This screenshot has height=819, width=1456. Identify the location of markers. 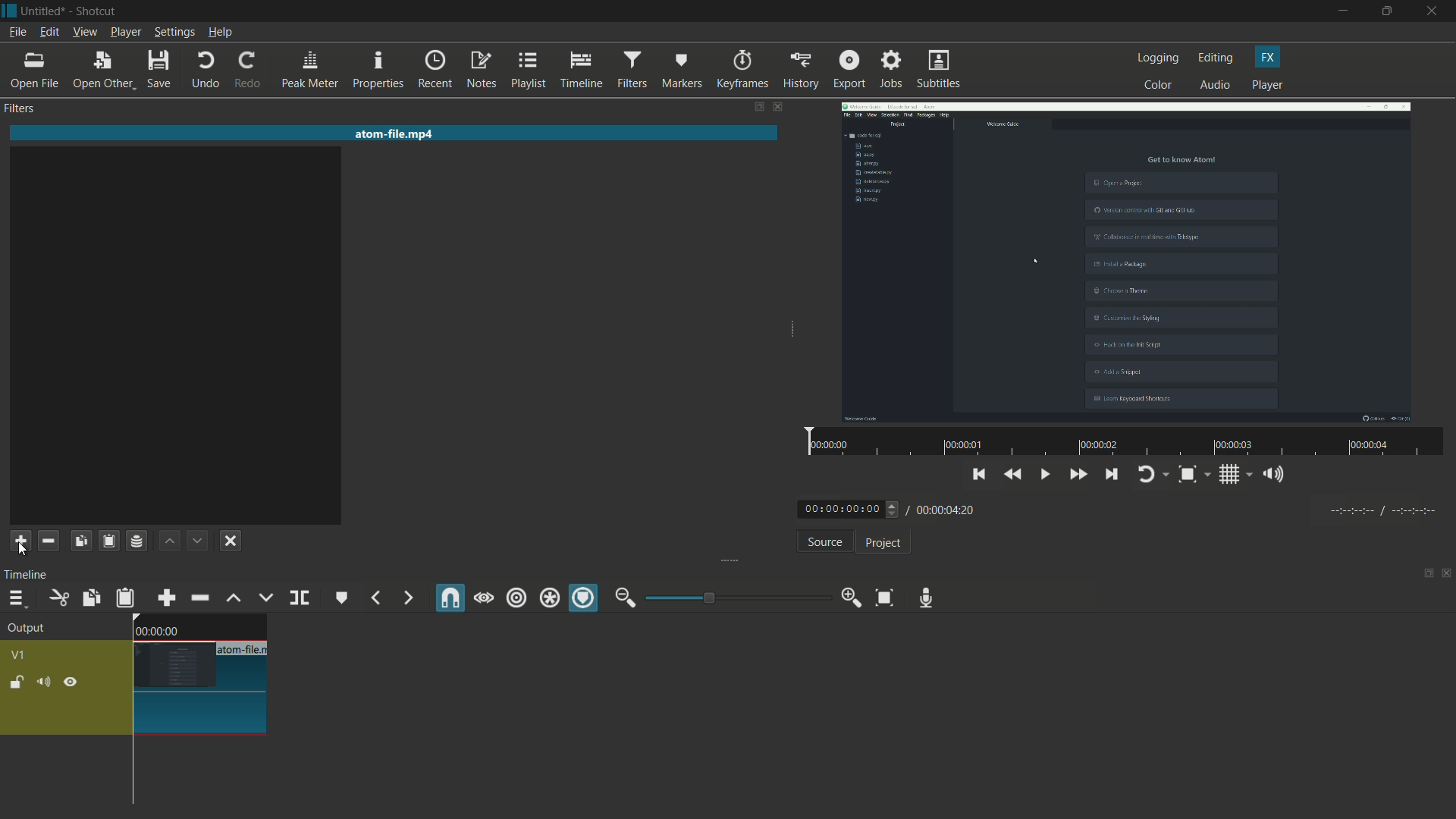
(682, 69).